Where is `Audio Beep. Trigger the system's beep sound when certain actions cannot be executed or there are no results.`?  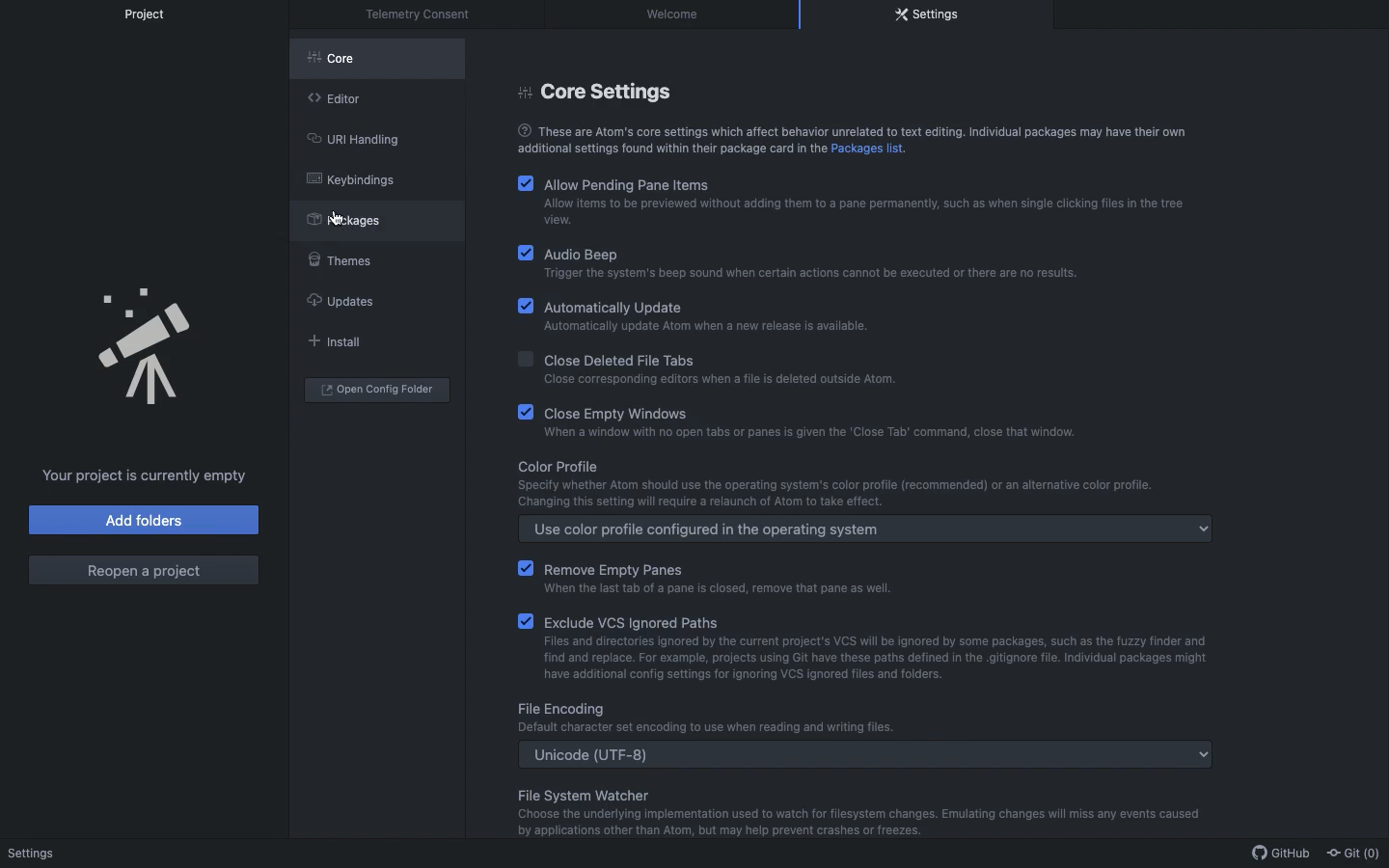
Audio Beep. Trigger the system's beep sound when certain actions cannot be executed or there are no results. is located at coordinates (807, 264).